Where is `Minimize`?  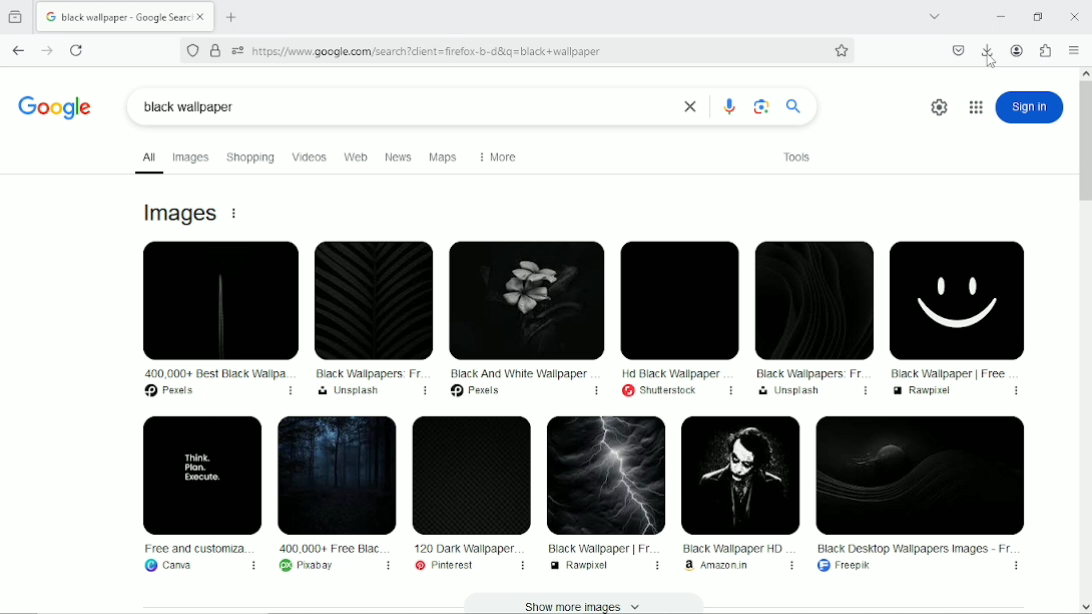 Minimize is located at coordinates (999, 17).